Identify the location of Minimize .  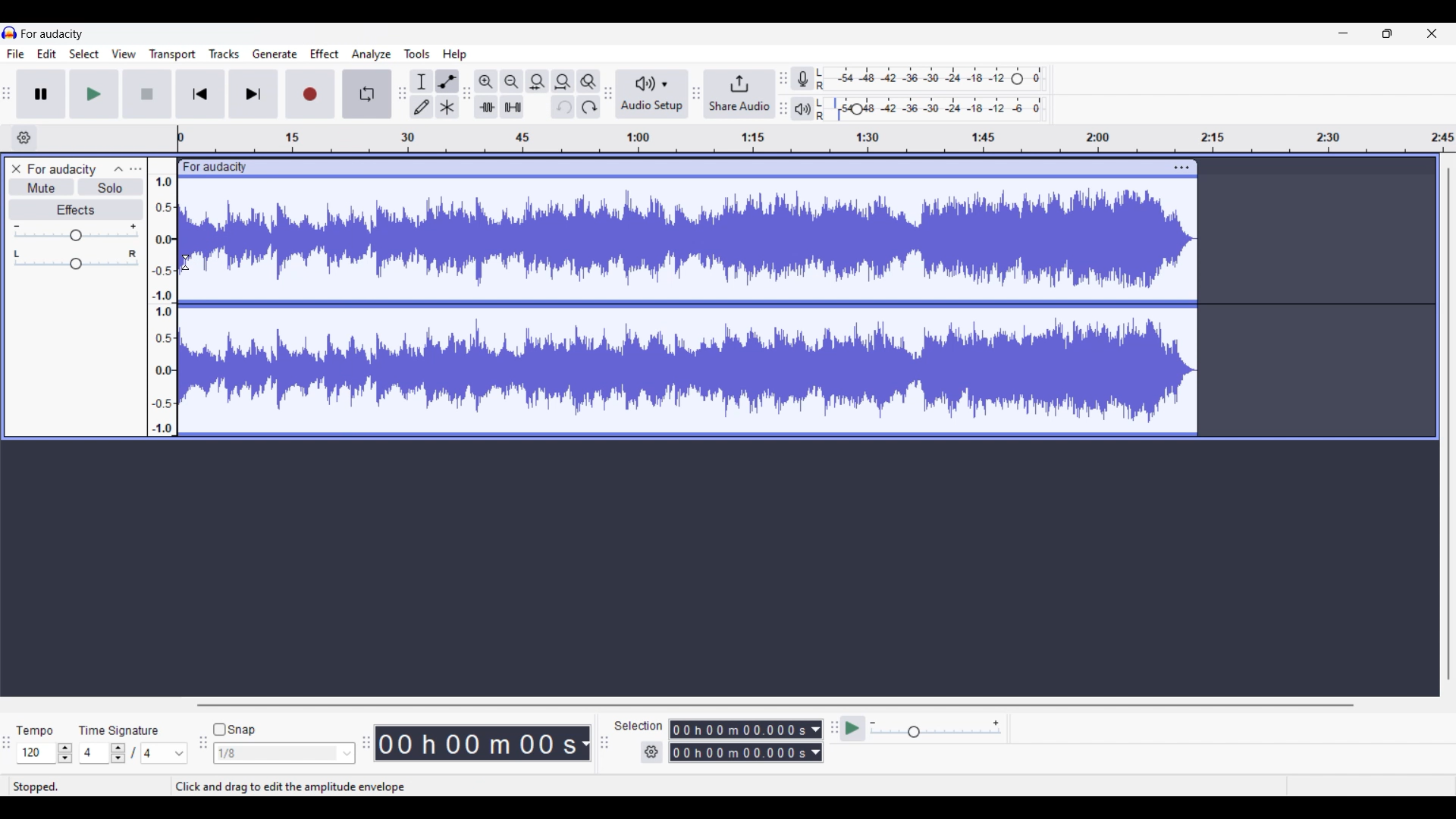
(1343, 33).